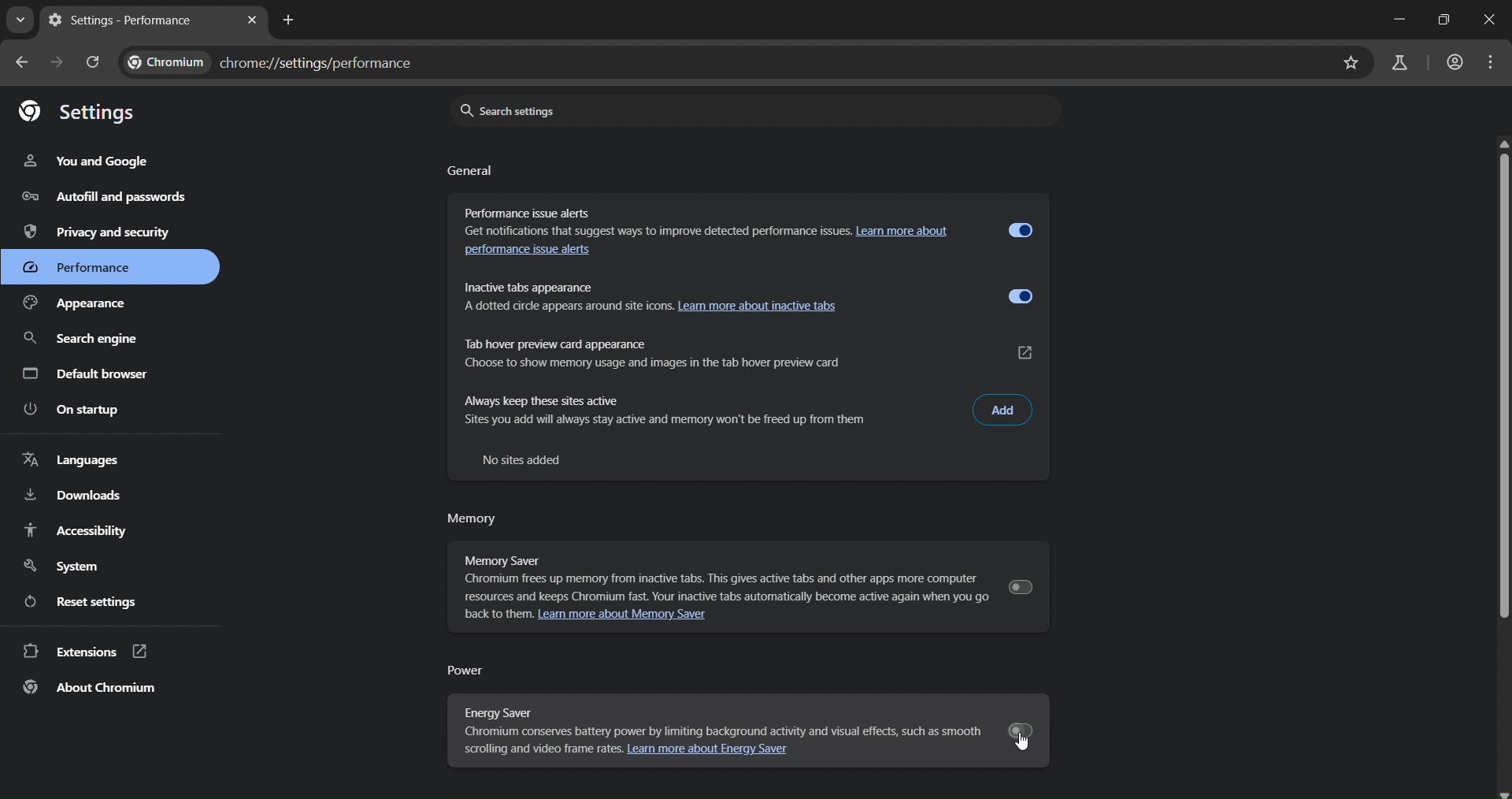 The width and height of the screenshot is (1512, 799). I want to click on chrome://settings/performance, so click(278, 63).